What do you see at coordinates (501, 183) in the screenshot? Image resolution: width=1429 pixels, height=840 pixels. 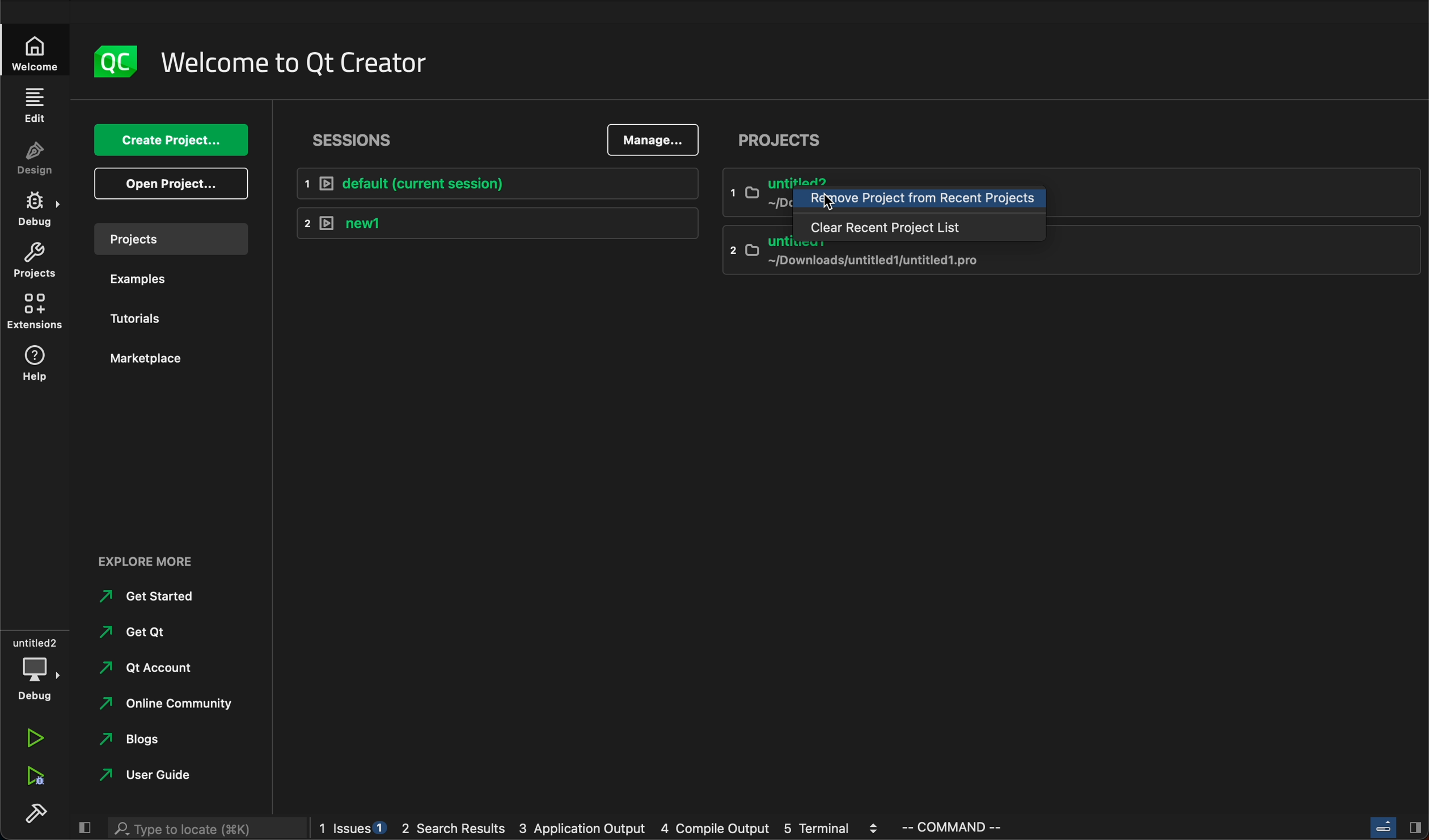 I see `Default session` at bounding box center [501, 183].